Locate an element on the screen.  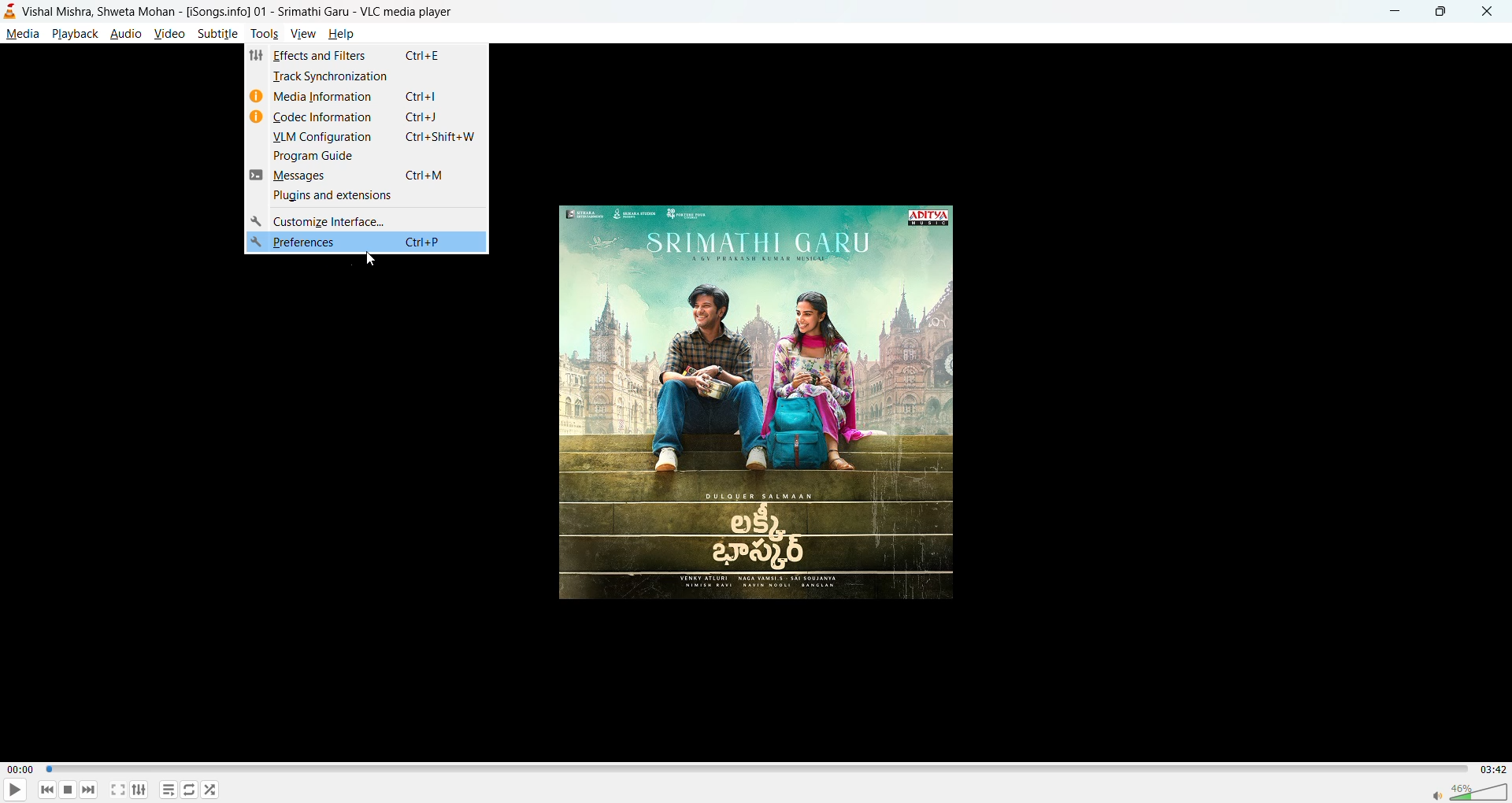
track synchronization is located at coordinates (335, 77).